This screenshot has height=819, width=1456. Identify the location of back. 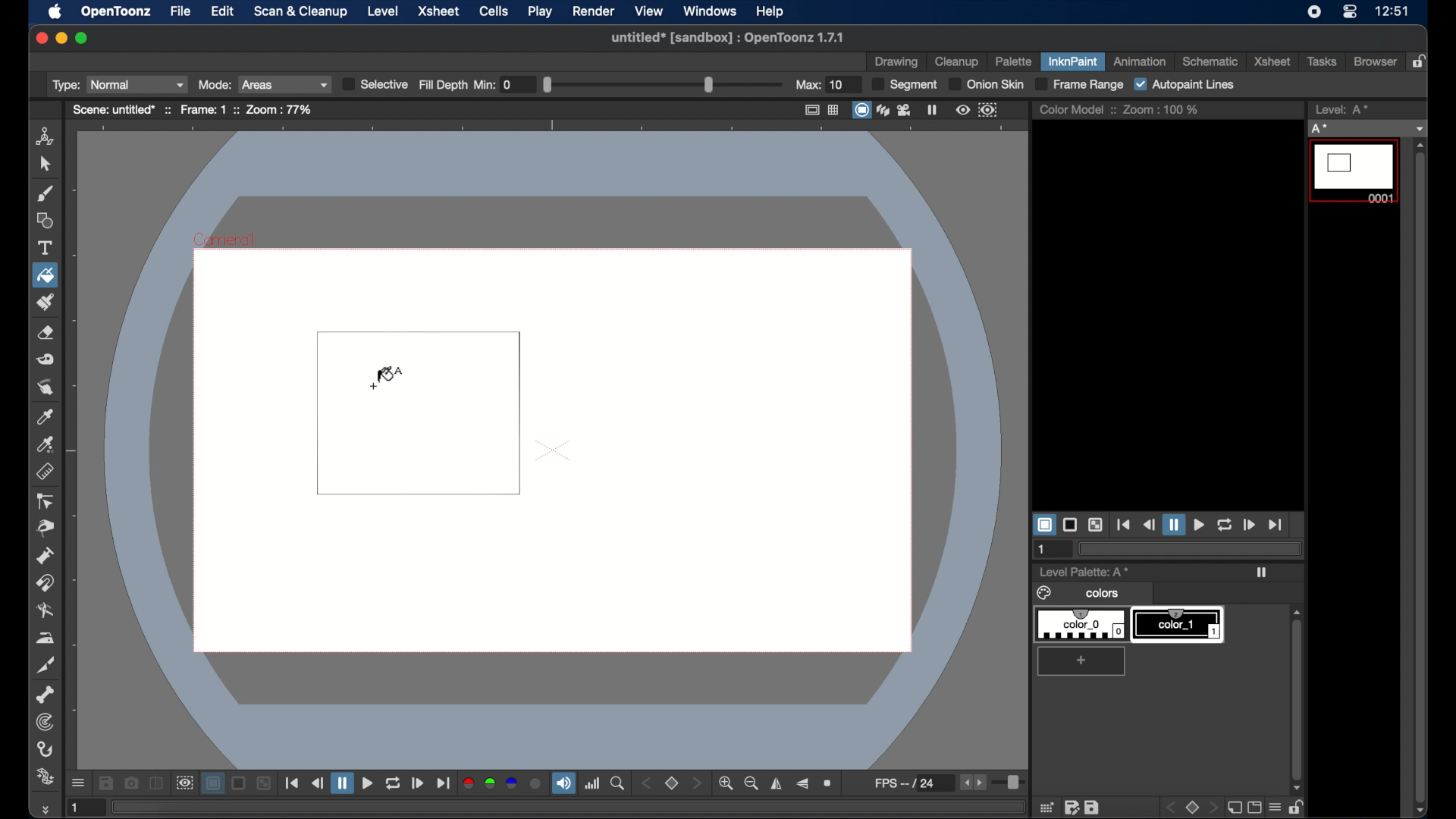
(1173, 808).